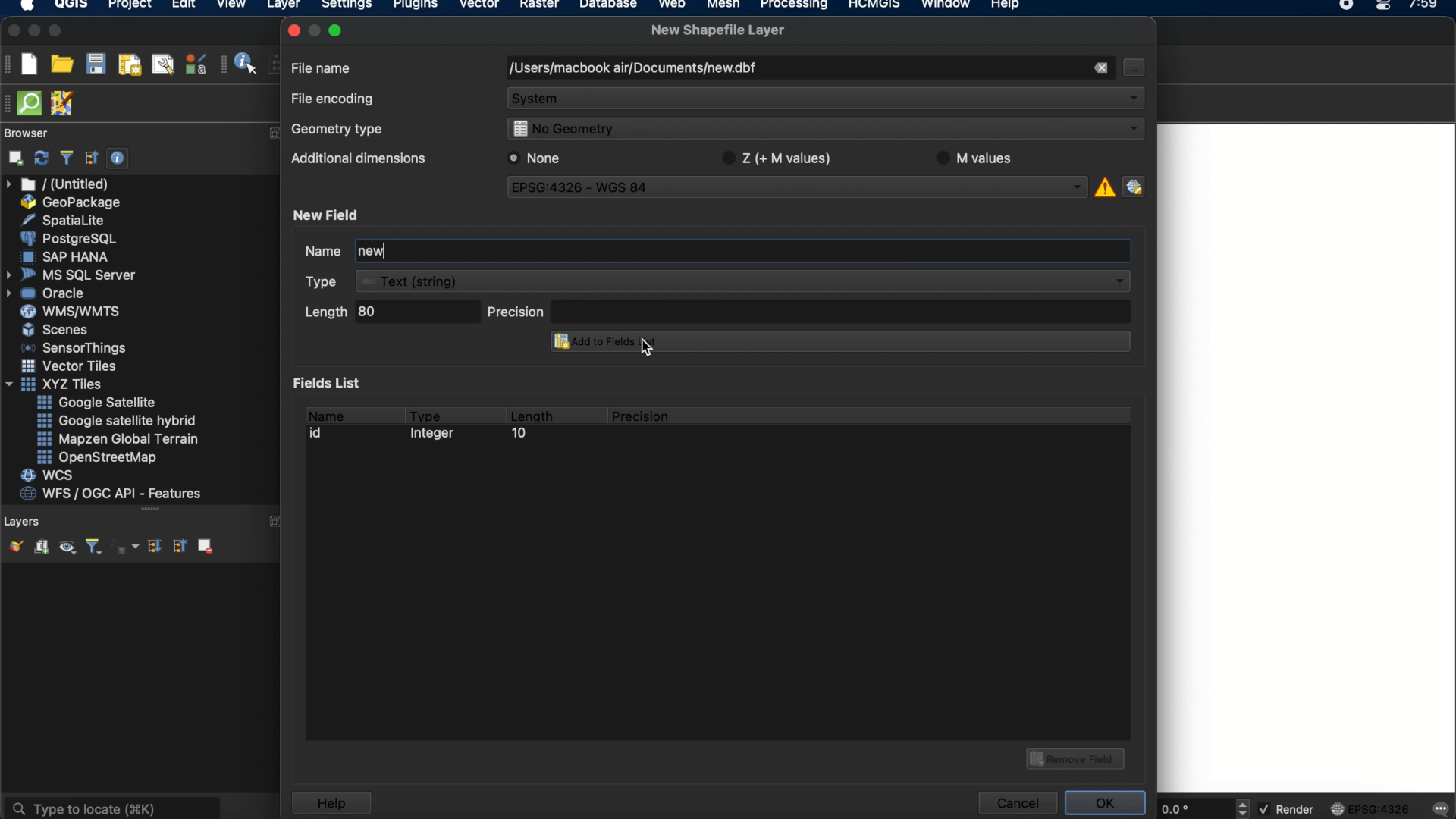 Image resolution: width=1456 pixels, height=819 pixels. What do you see at coordinates (92, 158) in the screenshot?
I see `collapse all` at bounding box center [92, 158].